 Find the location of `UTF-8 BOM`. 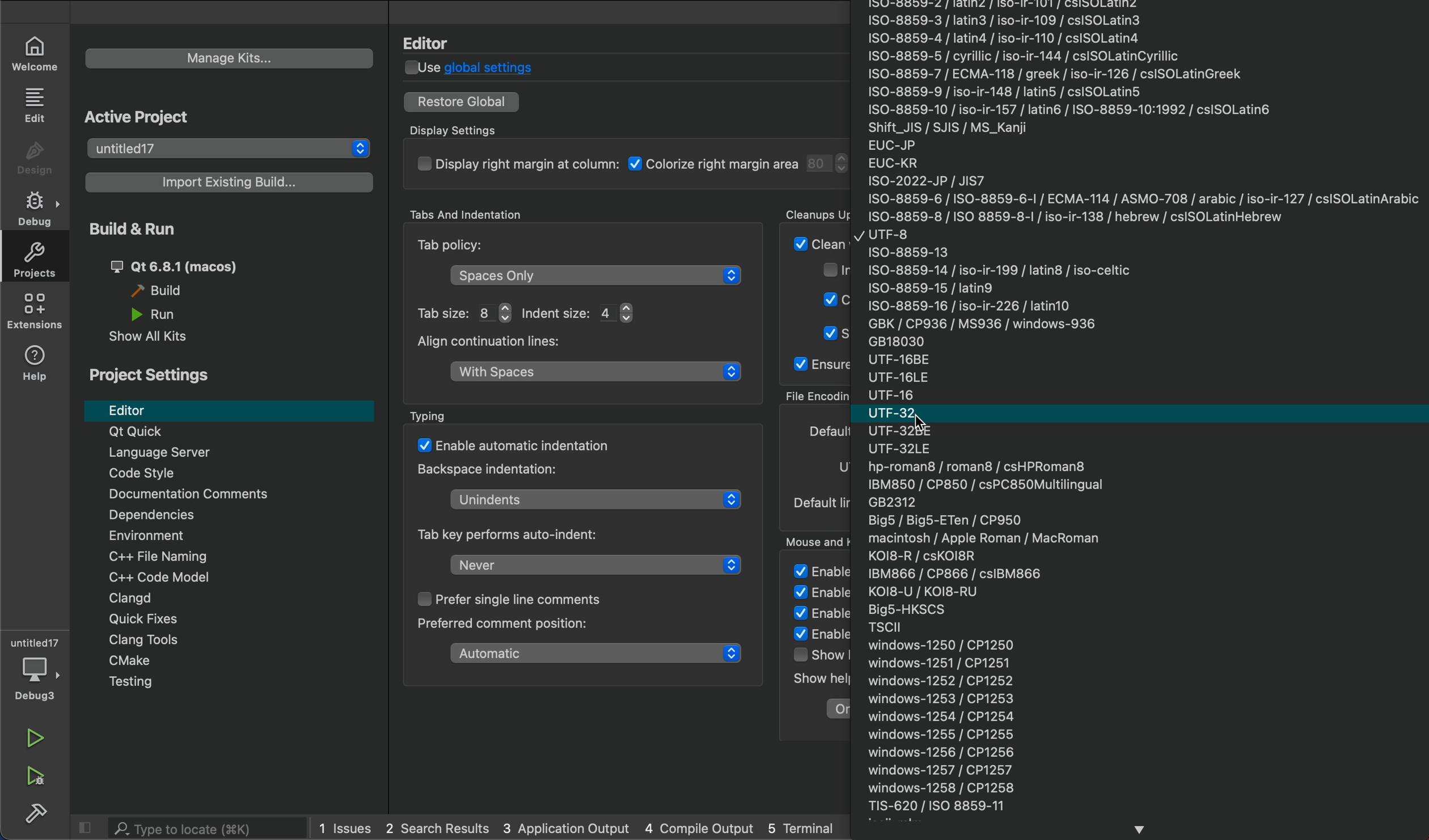

UTF-8 BOM is located at coordinates (843, 467).